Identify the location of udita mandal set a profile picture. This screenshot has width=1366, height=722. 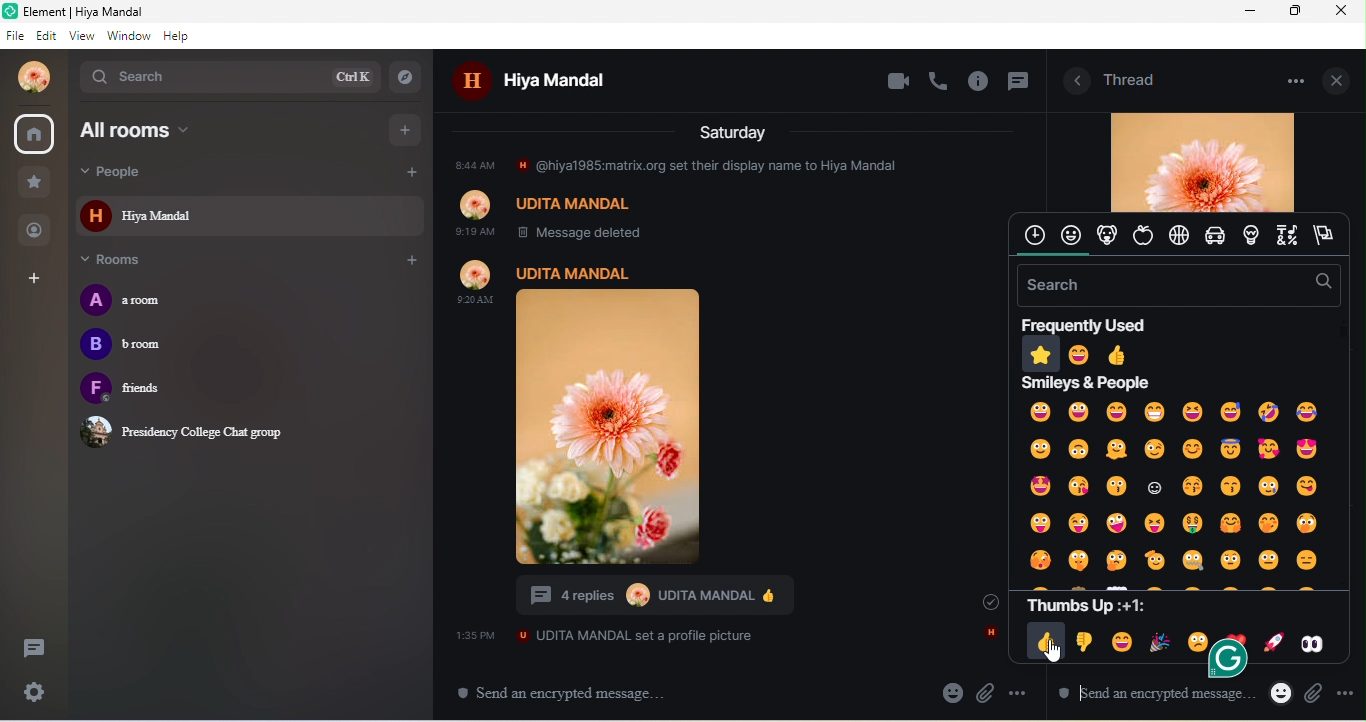
(605, 635).